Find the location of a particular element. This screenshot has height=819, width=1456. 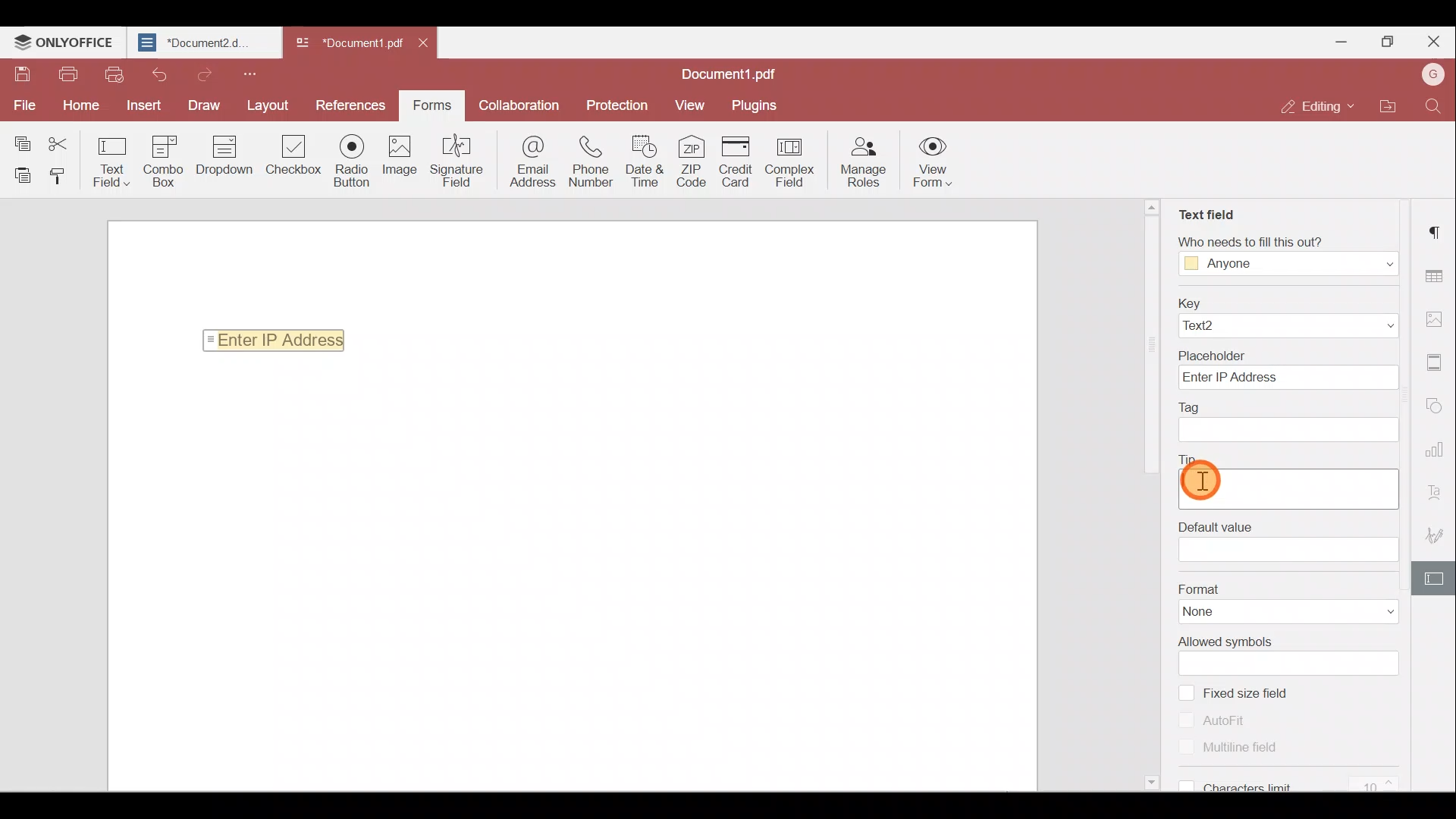

Image settings is located at coordinates (1435, 318).